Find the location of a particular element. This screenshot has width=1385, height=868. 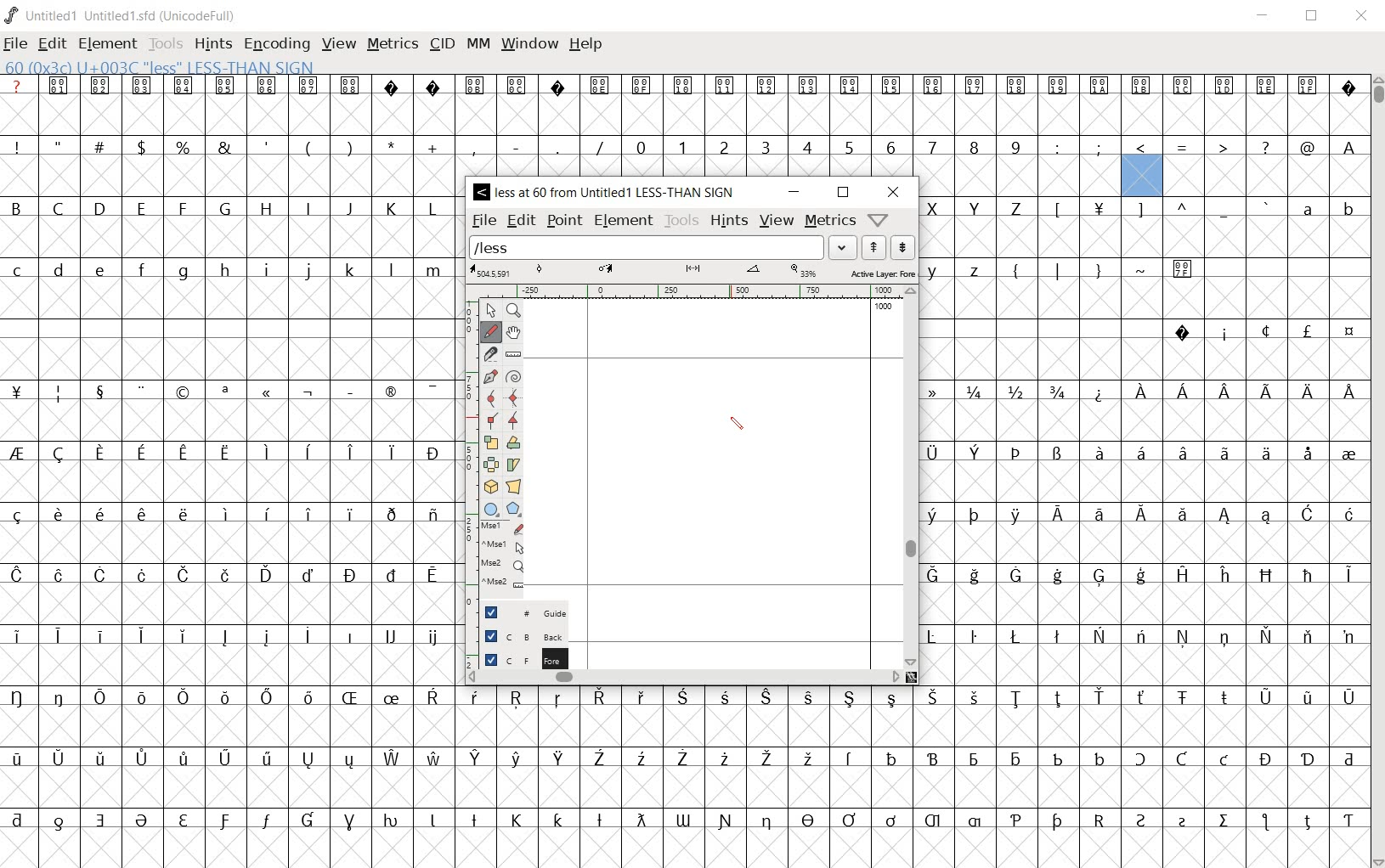

window is located at coordinates (529, 45).